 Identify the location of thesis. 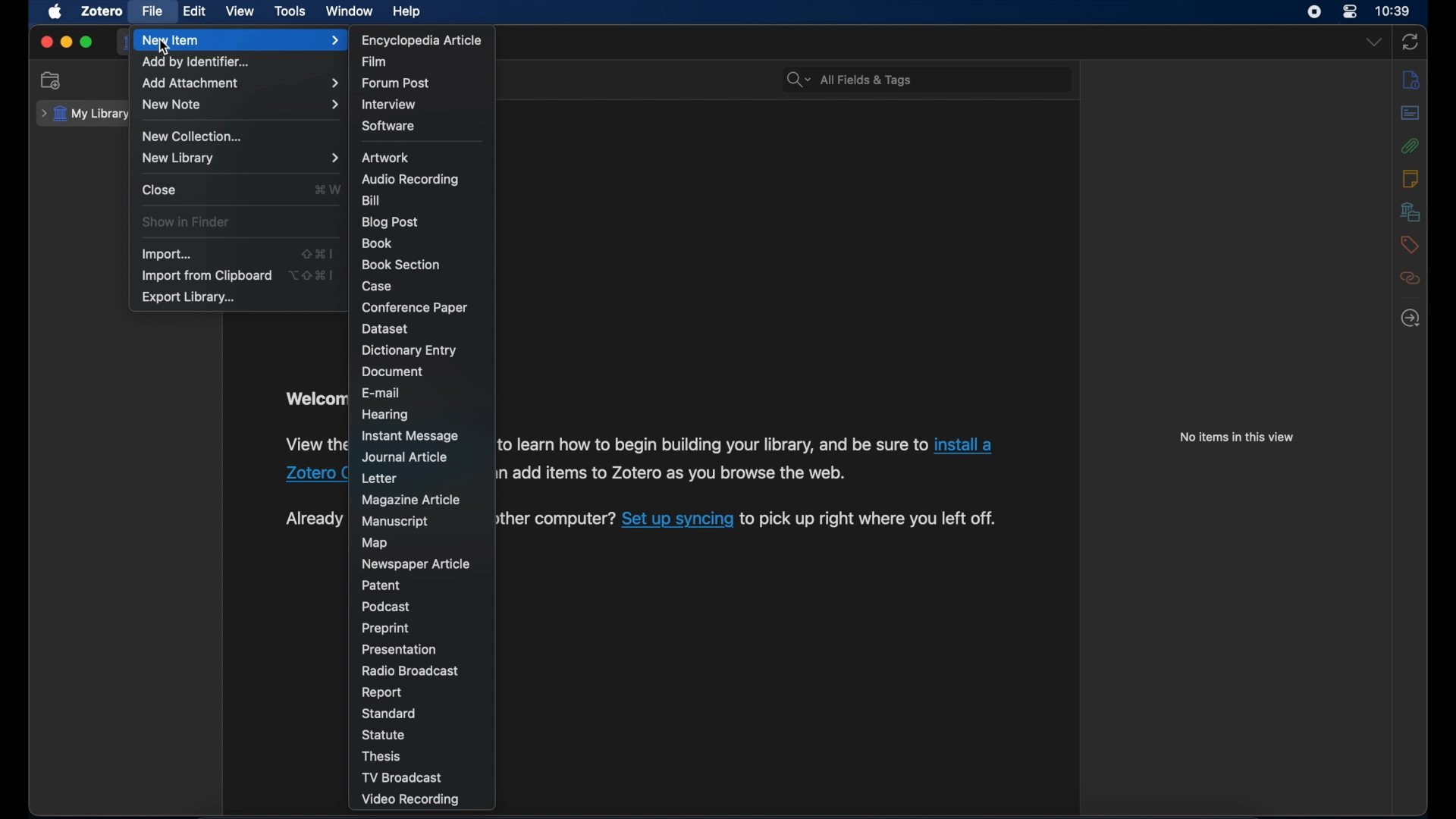
(384, 756).